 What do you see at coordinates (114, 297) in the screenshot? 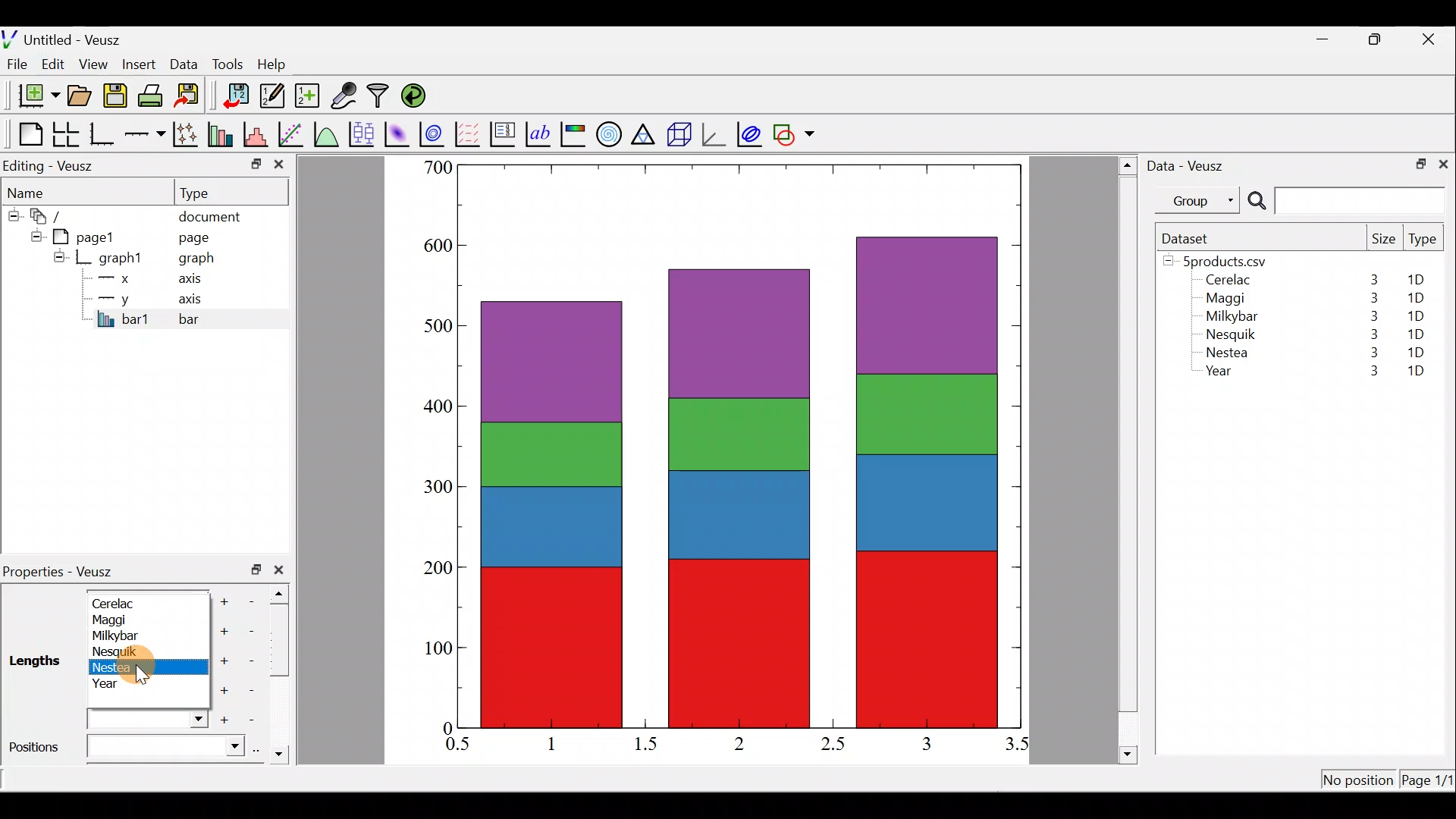
I see `y` at bounding box center [114, 297].